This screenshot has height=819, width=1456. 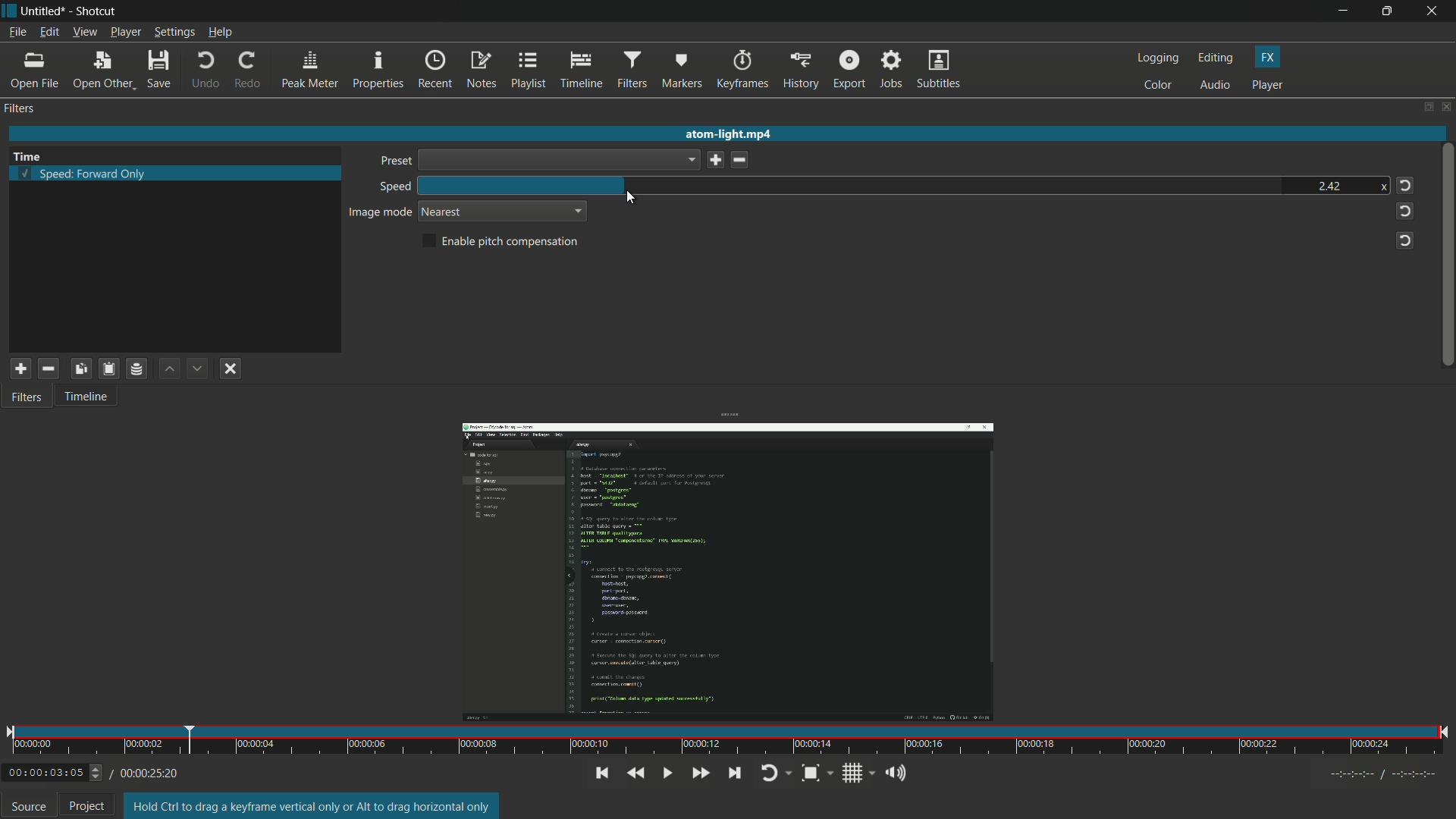 I want to click on speed forward only, so click(x=89, y=174).